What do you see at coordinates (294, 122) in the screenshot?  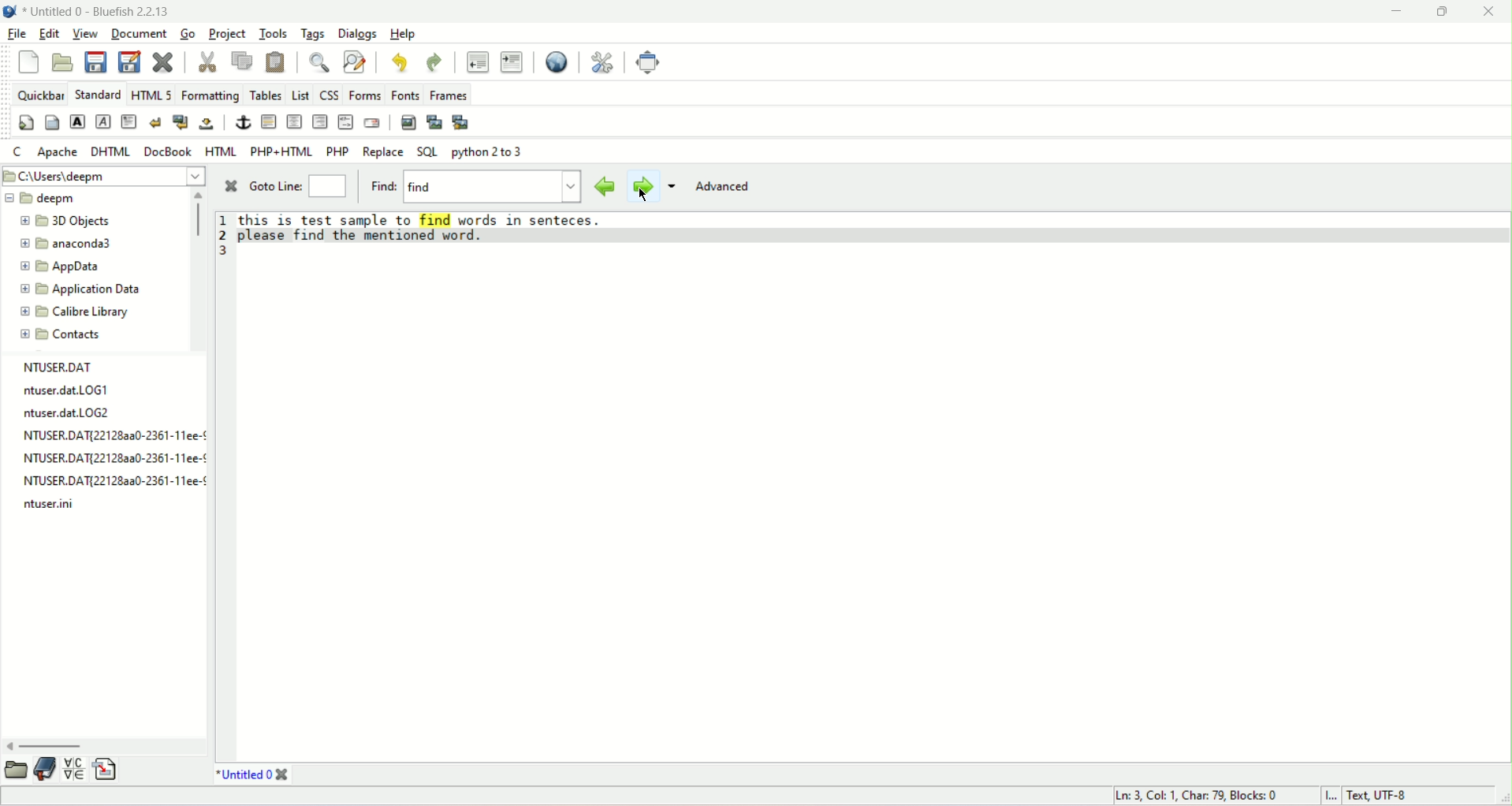 I see `center` at bounding box center [294, 122].